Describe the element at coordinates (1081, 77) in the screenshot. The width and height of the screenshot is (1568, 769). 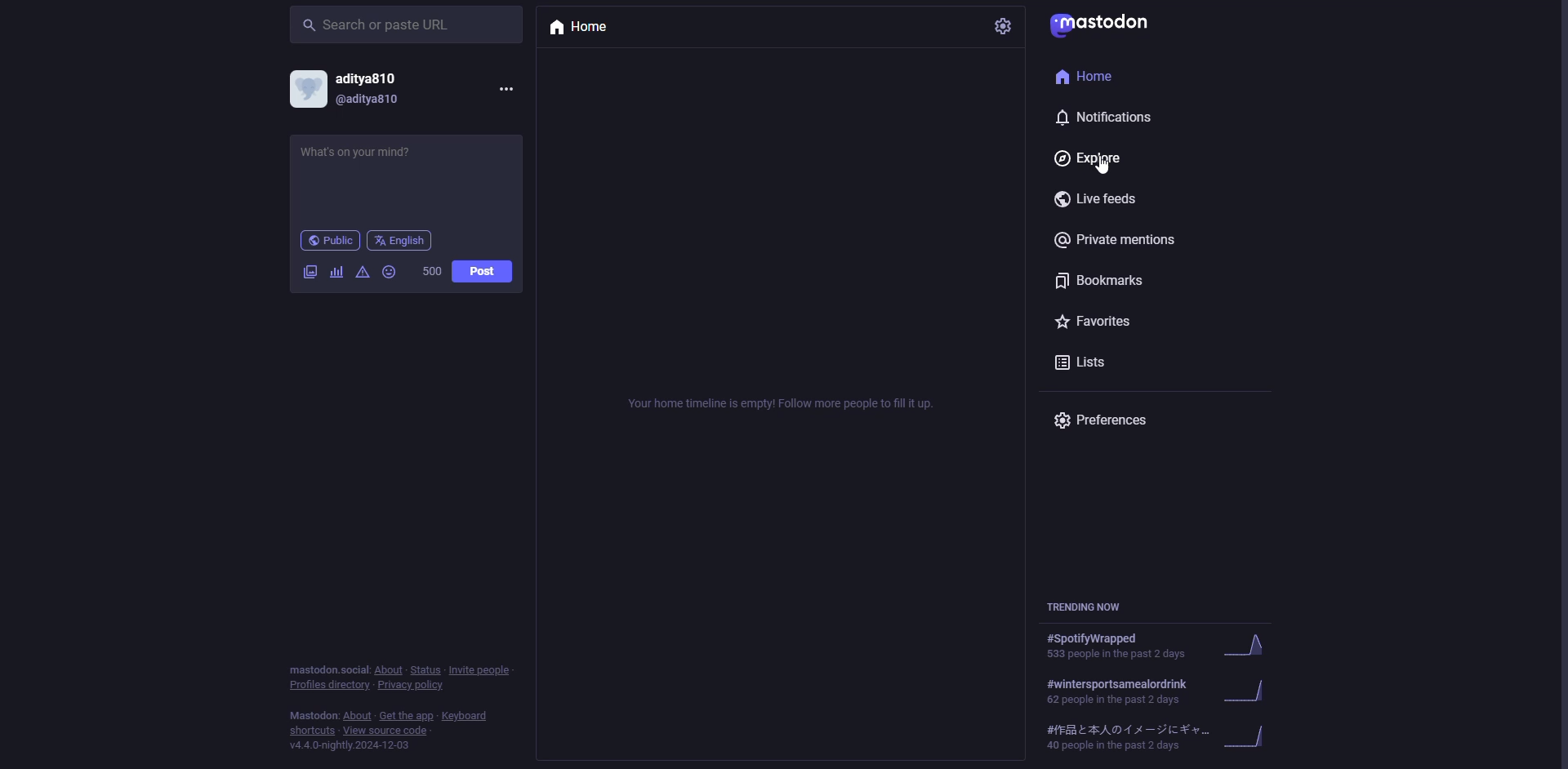
I see `home` at that location.